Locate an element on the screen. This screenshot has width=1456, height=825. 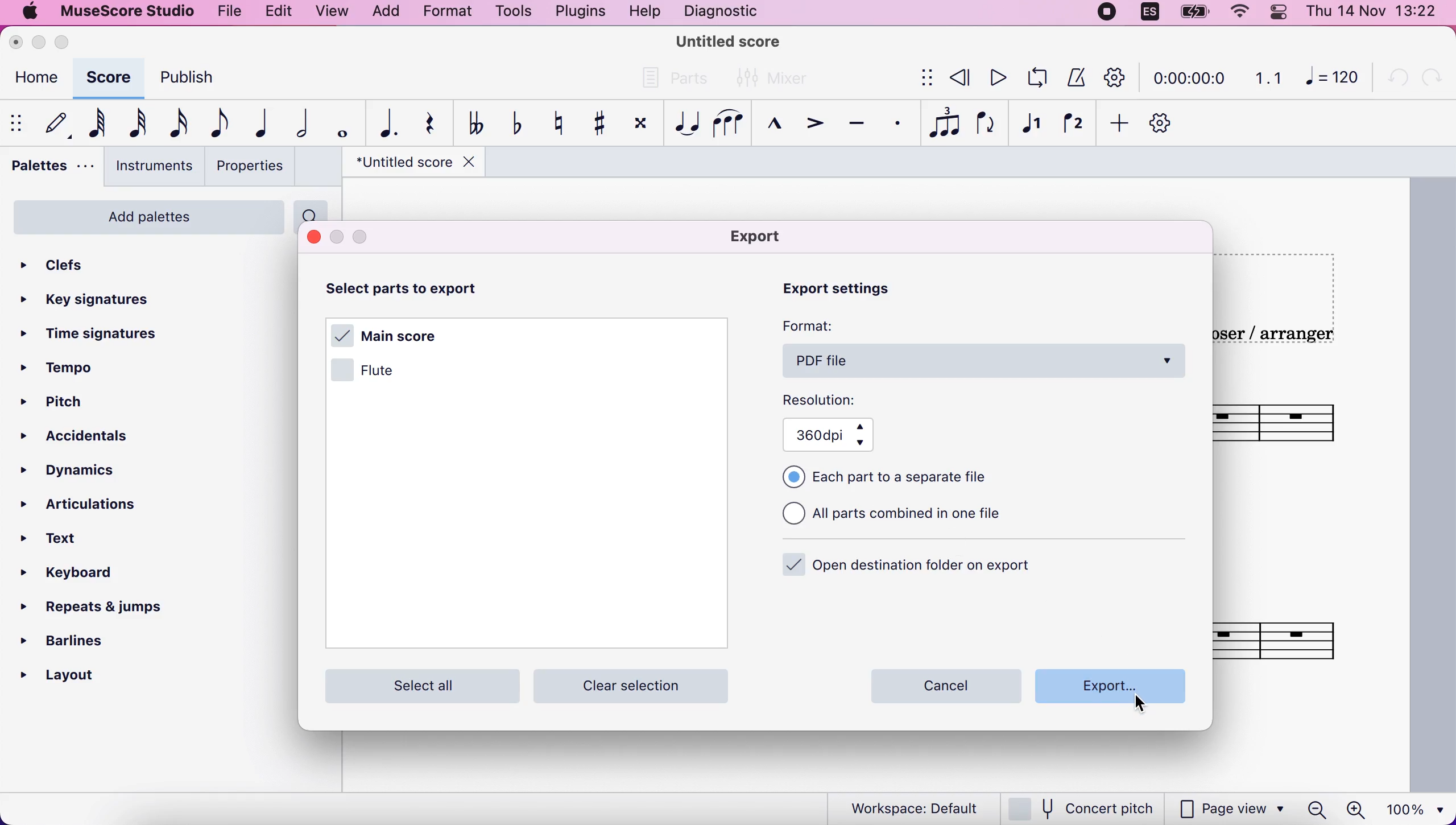
customize toolbar is located at coordinates (1165, 122).